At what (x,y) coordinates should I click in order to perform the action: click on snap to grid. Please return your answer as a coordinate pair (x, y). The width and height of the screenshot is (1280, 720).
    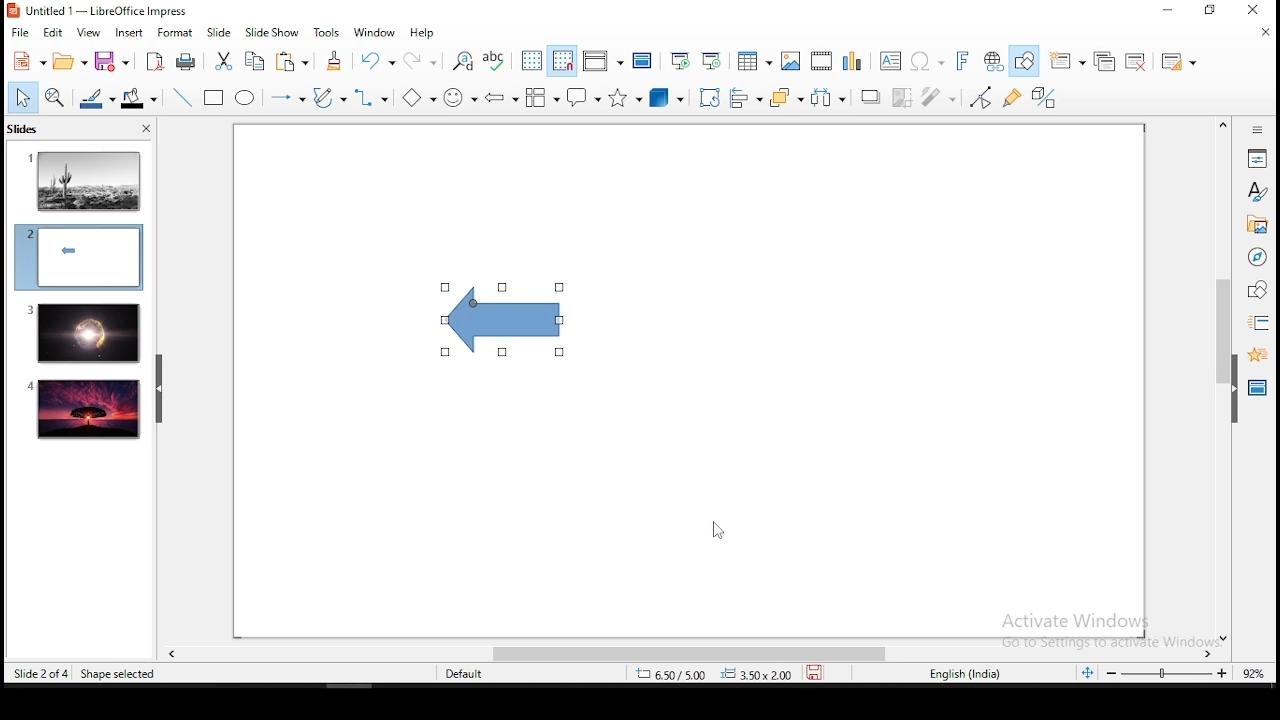
    Looking at the image, I should click on (563, 61).